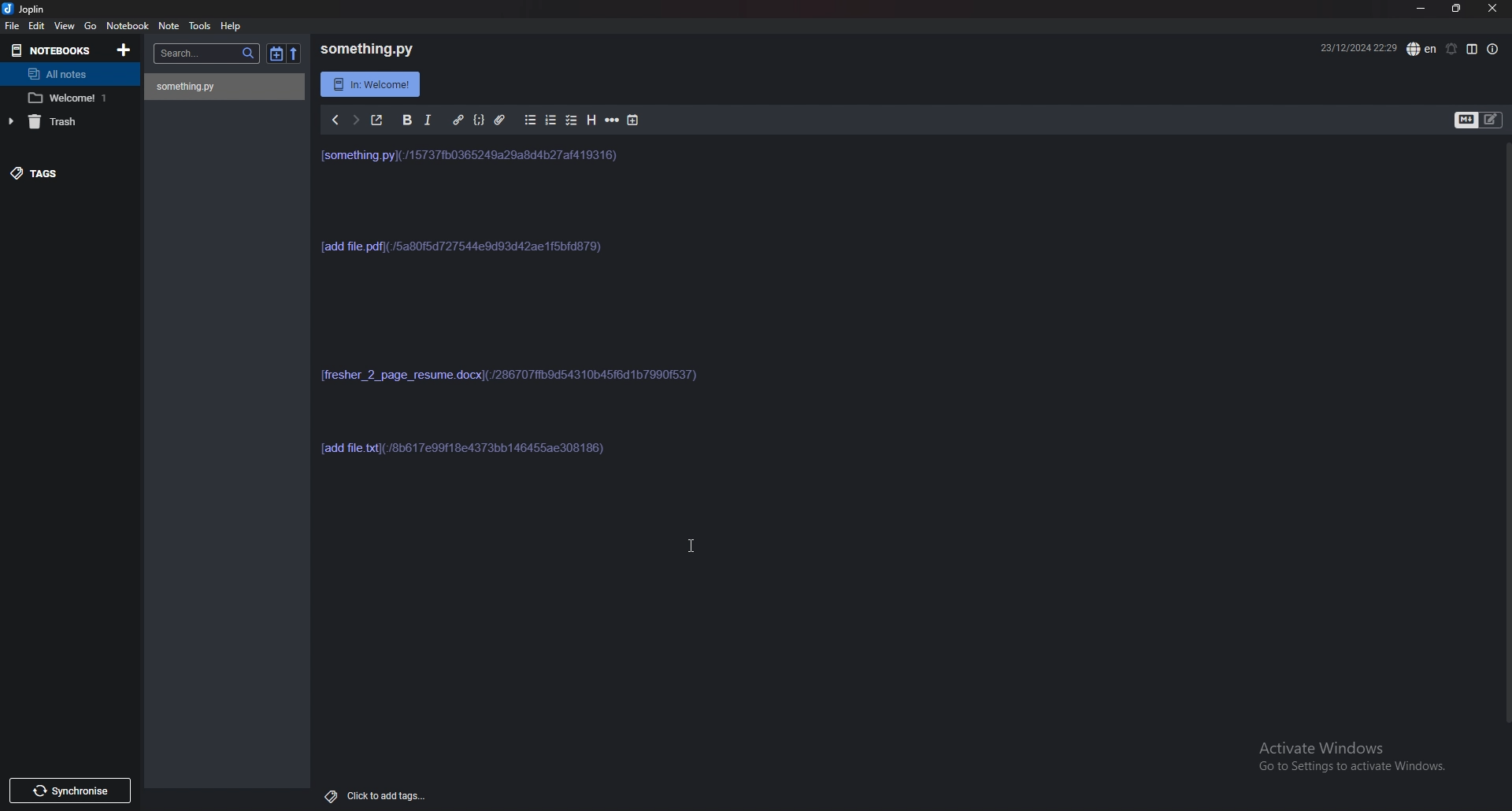  What do you see at coordinates (126, 50) in the screenshot?
I see `Add notebooks` at bounding box center [126, 50].